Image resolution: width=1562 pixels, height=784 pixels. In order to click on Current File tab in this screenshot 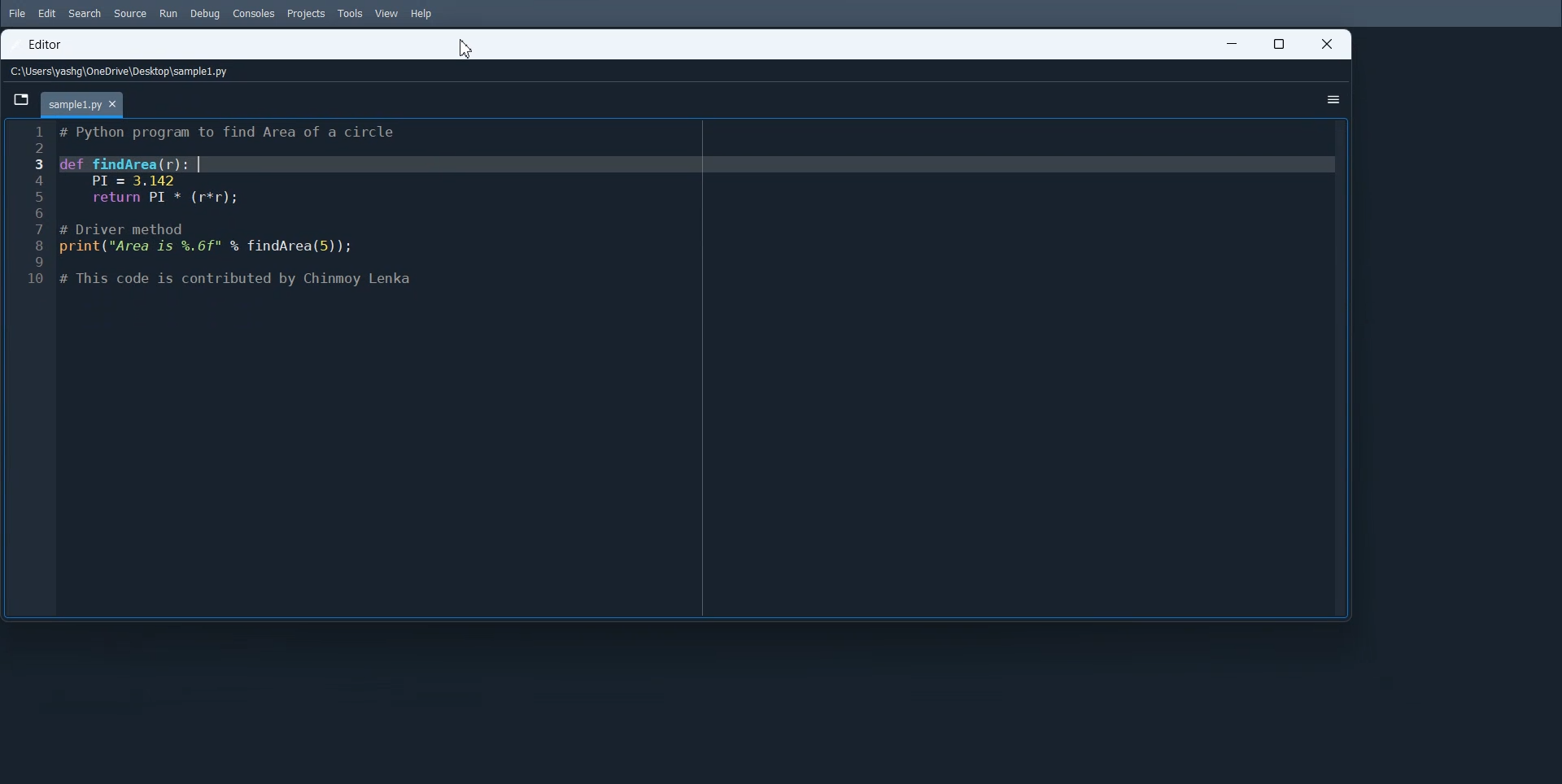, I will do `click(85, 103)`.